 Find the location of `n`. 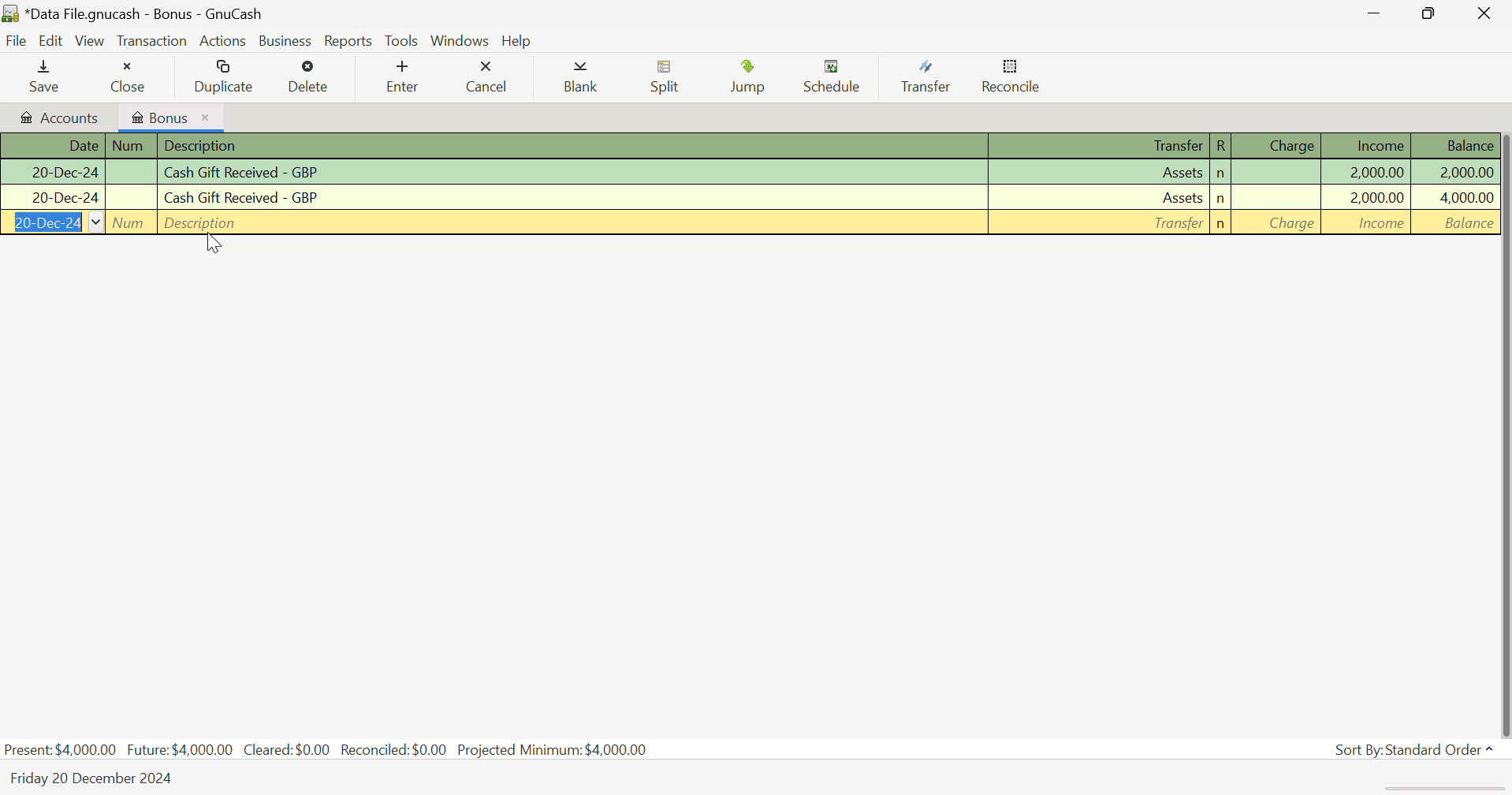

n is located at coordinates (1221, 174).